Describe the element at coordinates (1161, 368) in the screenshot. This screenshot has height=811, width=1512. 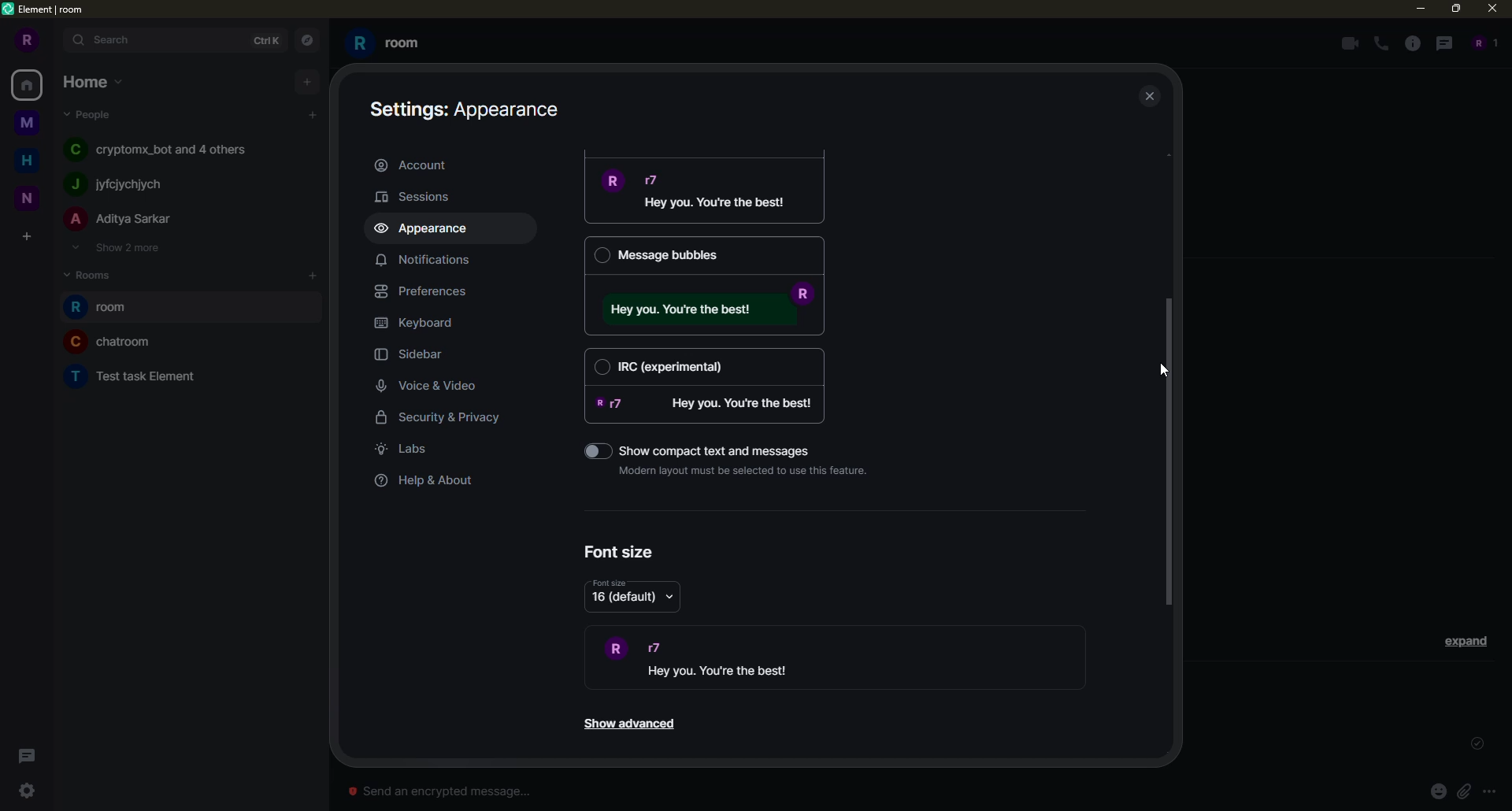
I see `cursor` at that location.